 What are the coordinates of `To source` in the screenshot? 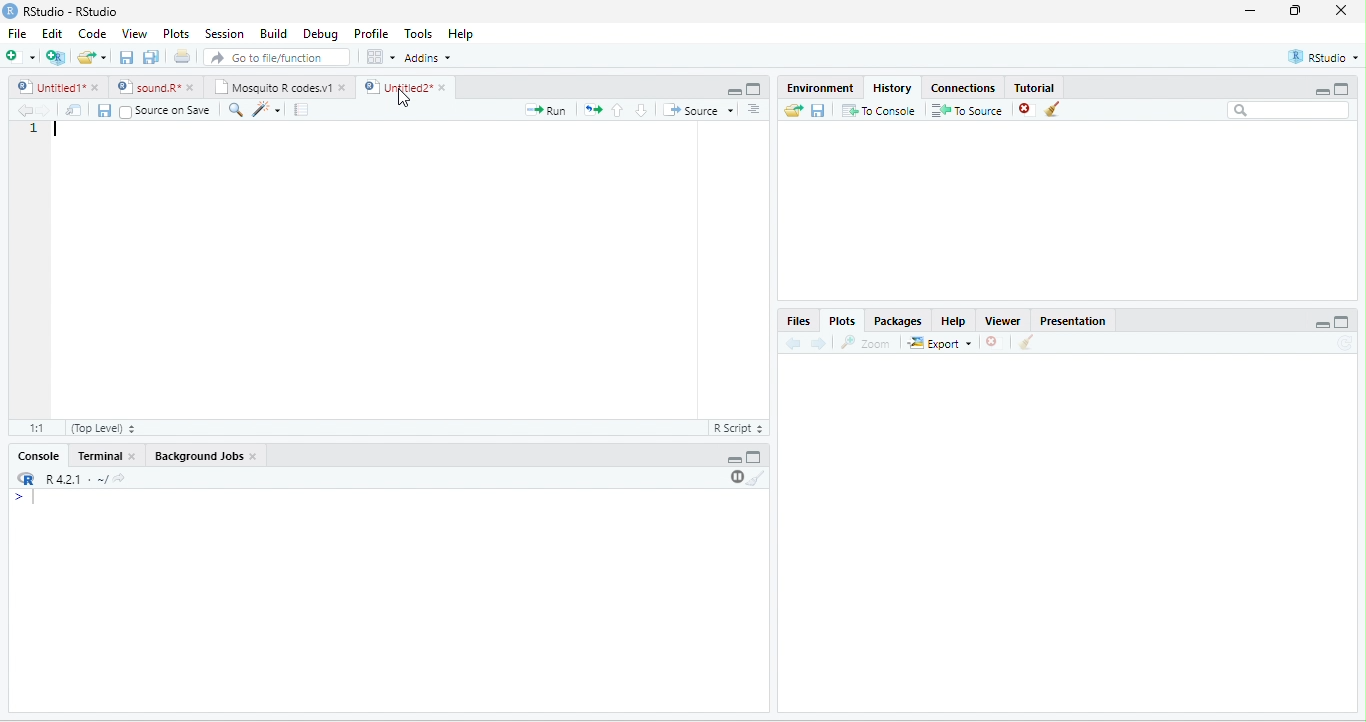 It's located at (965, 111).